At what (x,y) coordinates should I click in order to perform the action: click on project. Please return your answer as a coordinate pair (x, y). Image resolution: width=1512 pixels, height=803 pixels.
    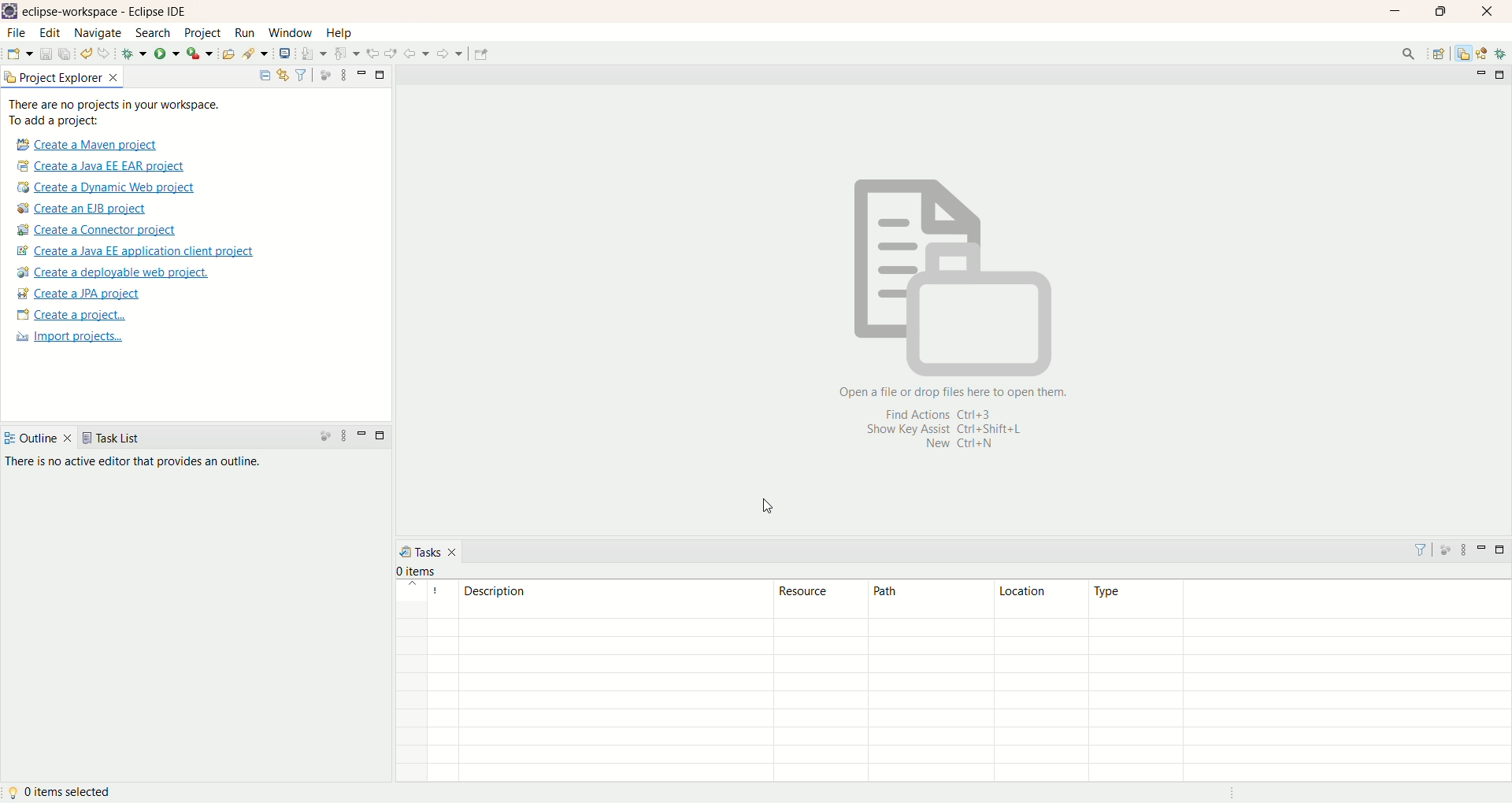
    Looking at the image, I should click on (204, 33).